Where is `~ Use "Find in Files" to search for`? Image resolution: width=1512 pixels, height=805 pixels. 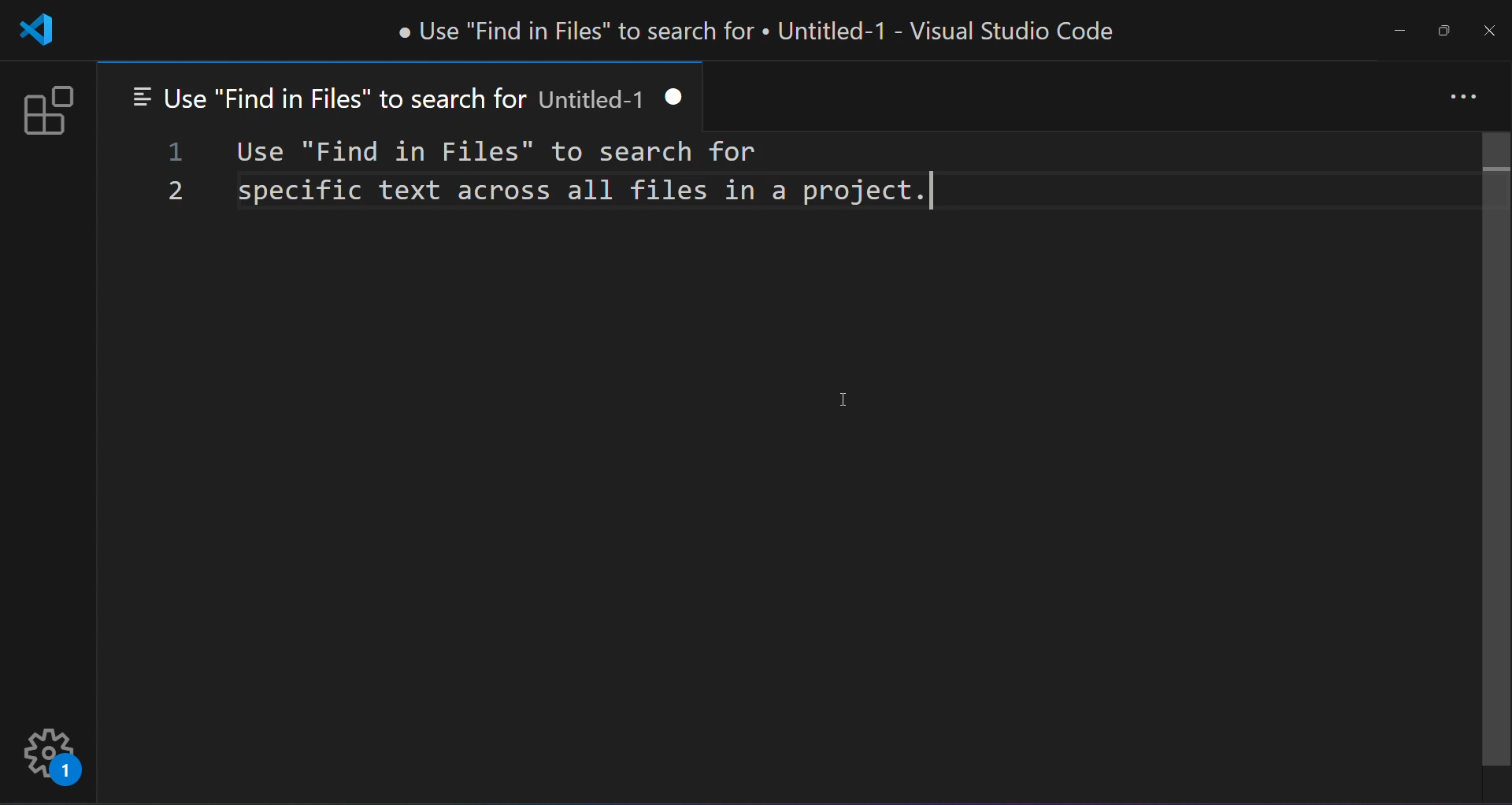 ~ Use "Find in Files" to search for is located at coordinates (326, 97).